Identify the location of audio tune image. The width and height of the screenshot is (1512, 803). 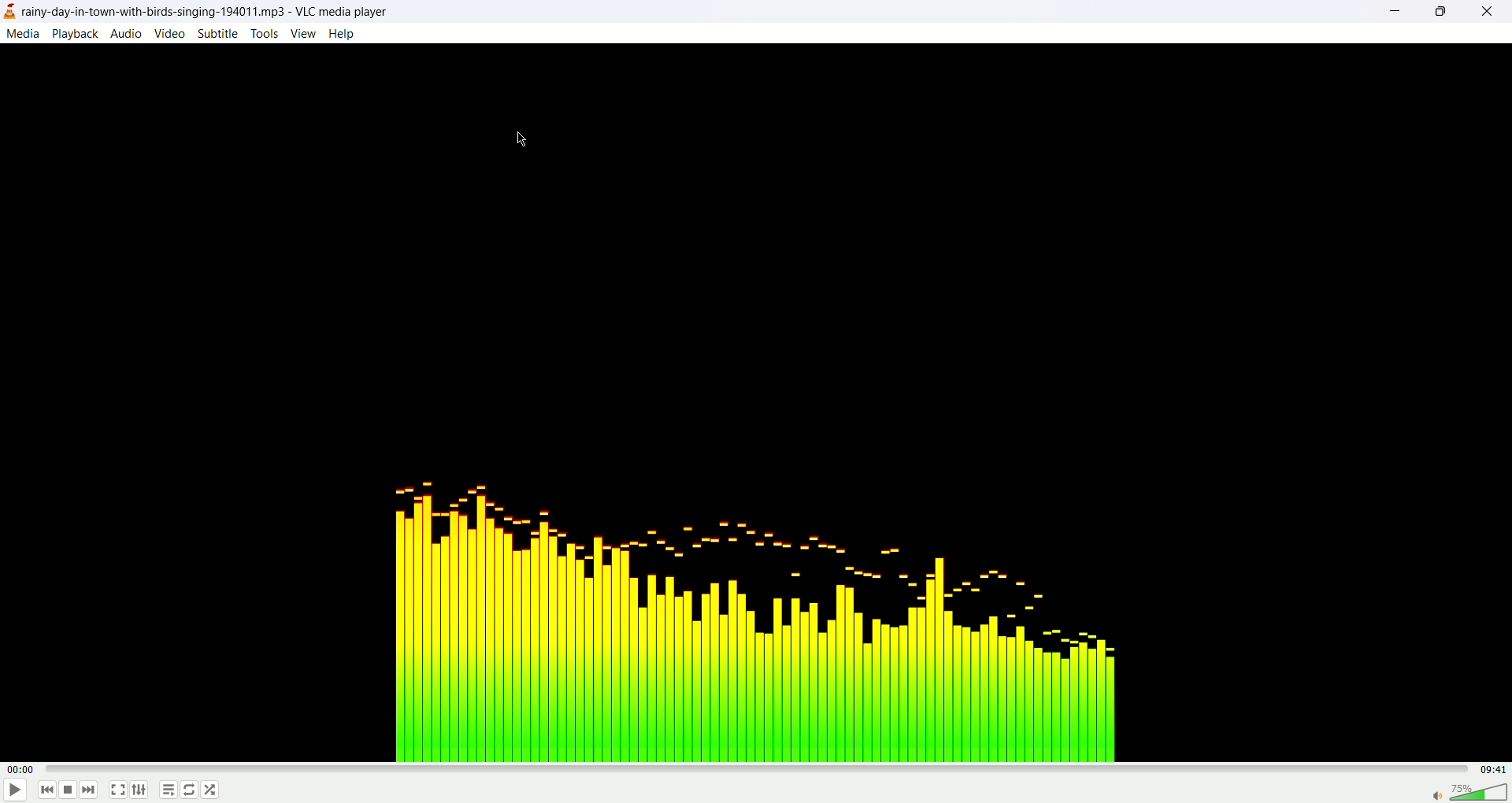
(746, 616).